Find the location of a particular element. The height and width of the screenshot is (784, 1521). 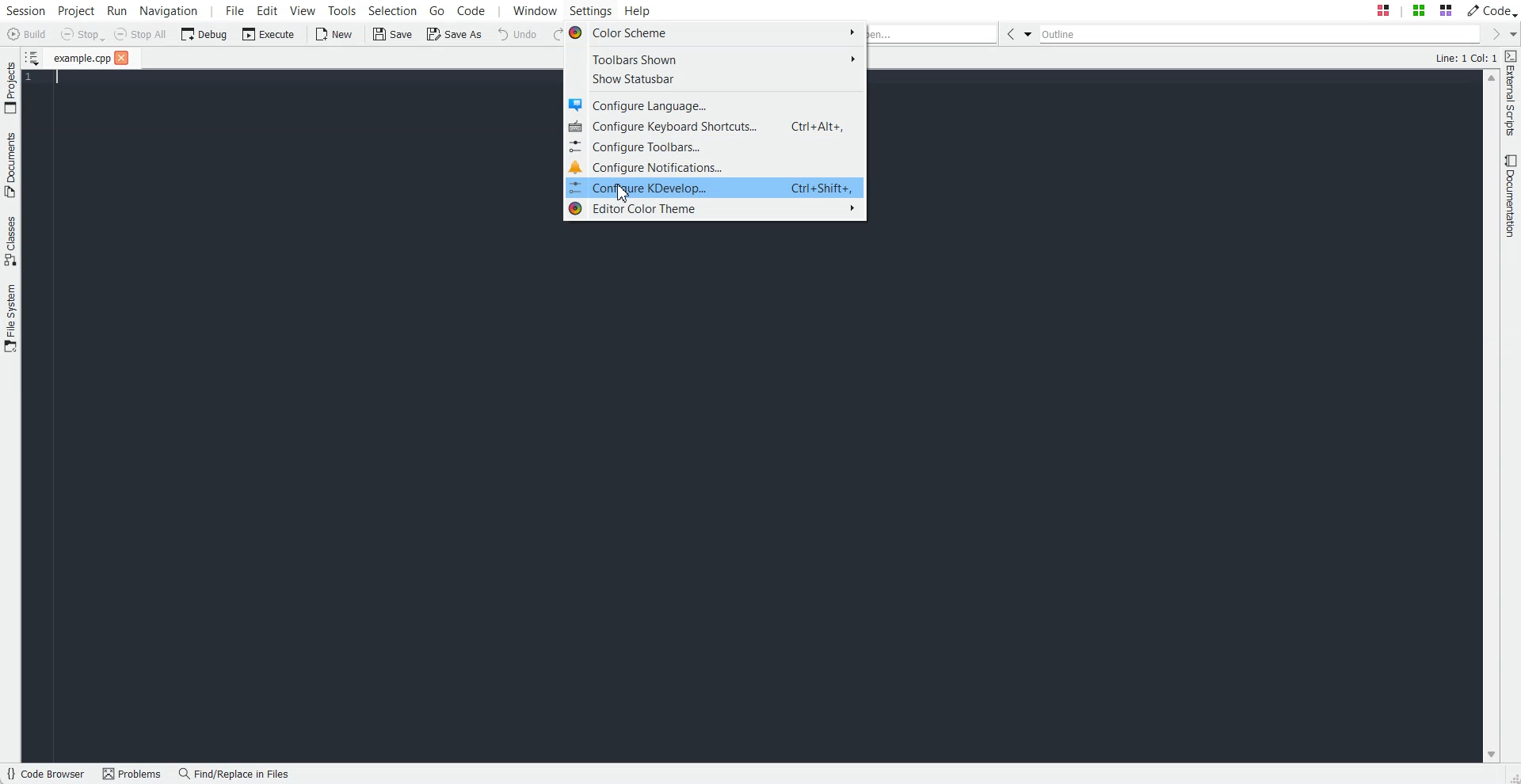

Drop down box is located at coordinates (1511, 34).